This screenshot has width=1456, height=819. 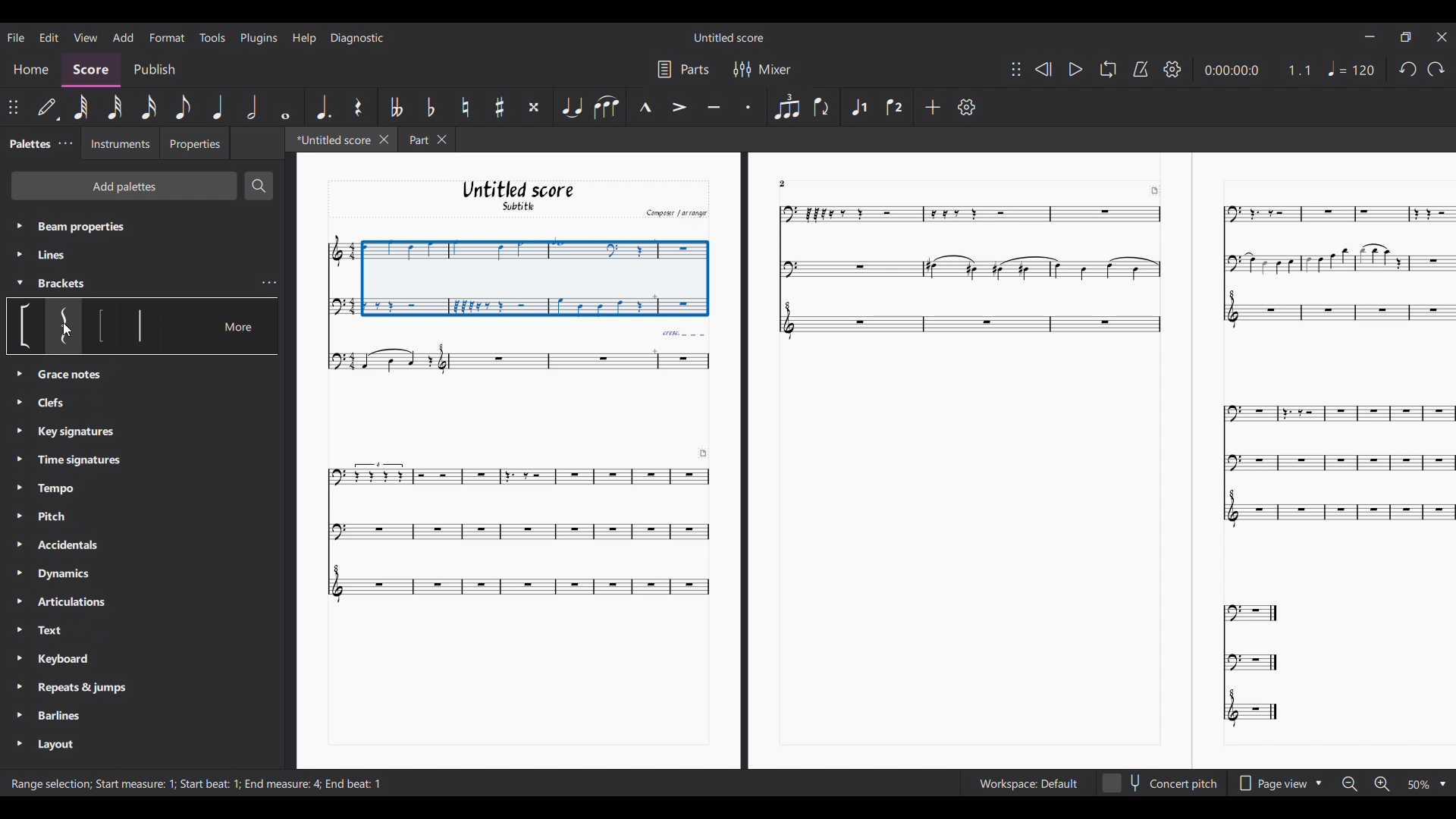 What do you see at coordinates (465, 107) in the screenshot?
I see `Toggle natural` at bounding box center [465, 107].